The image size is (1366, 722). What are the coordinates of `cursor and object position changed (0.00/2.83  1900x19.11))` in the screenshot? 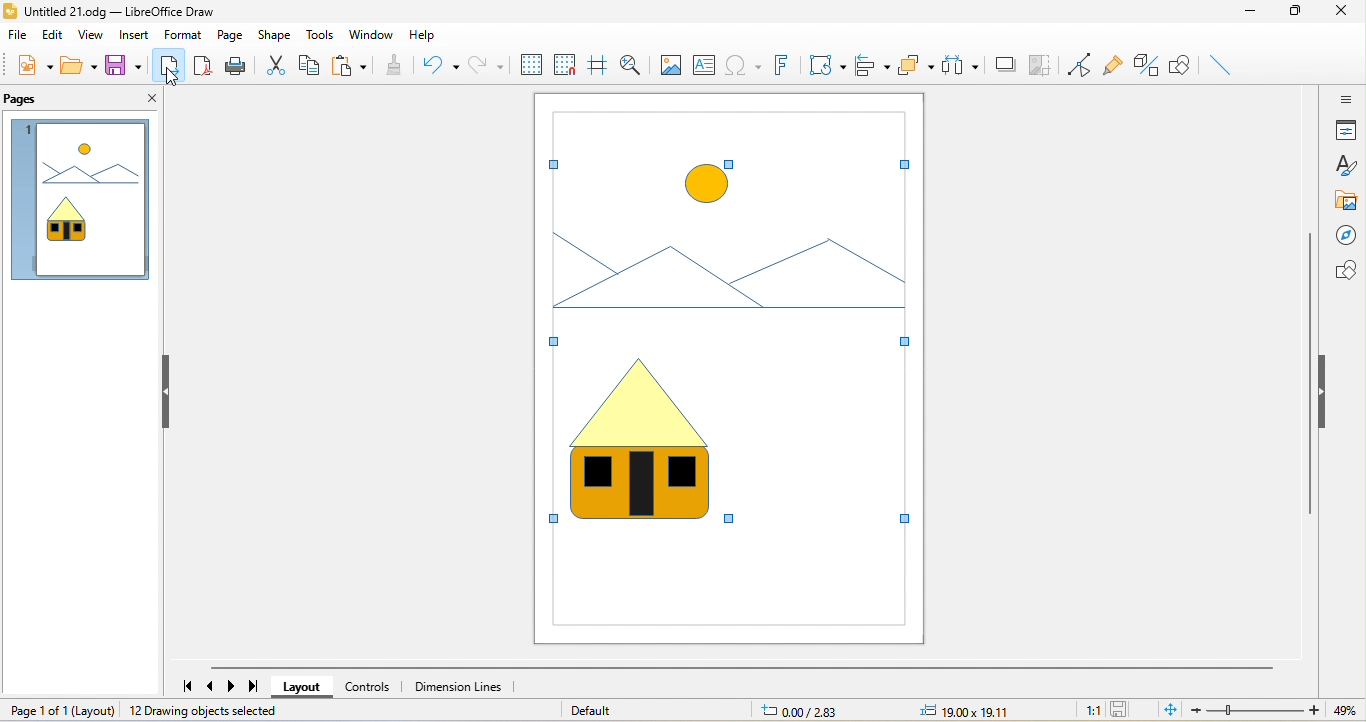 It's located at (895, 711).